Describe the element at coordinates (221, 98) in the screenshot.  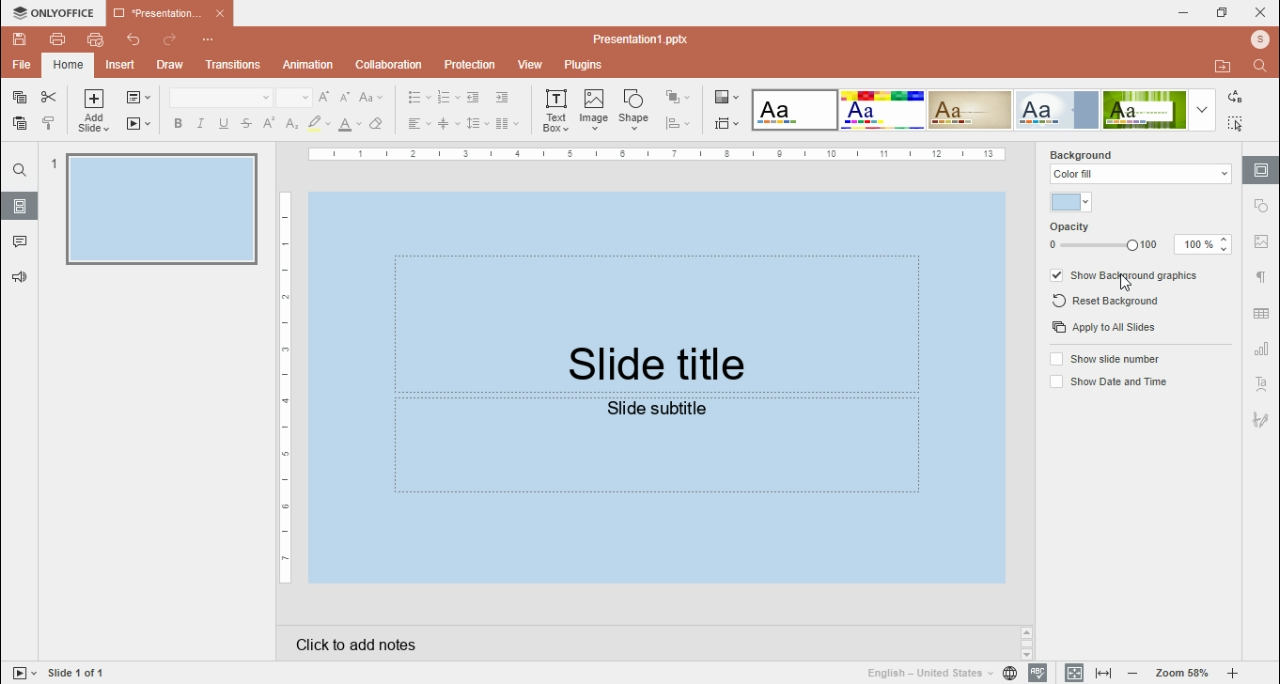
I see `font` at that location.